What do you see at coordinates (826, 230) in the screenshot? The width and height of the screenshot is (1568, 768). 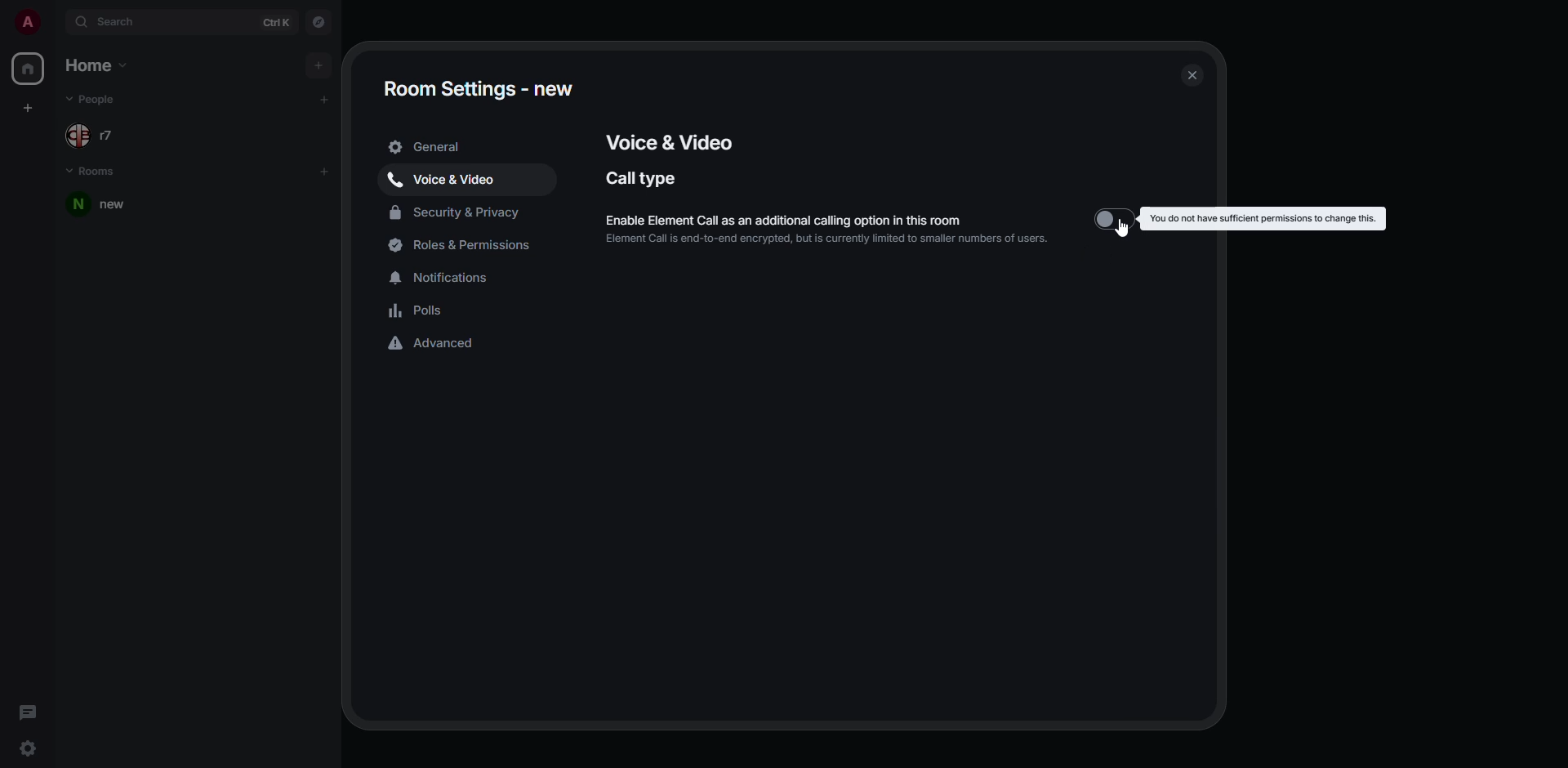 I see `enable element call as an additional calling option in this room. element calling is end-to-end encrypted, but it is currently restricted to a smaller number of users.` at bounding box center [826, 230].